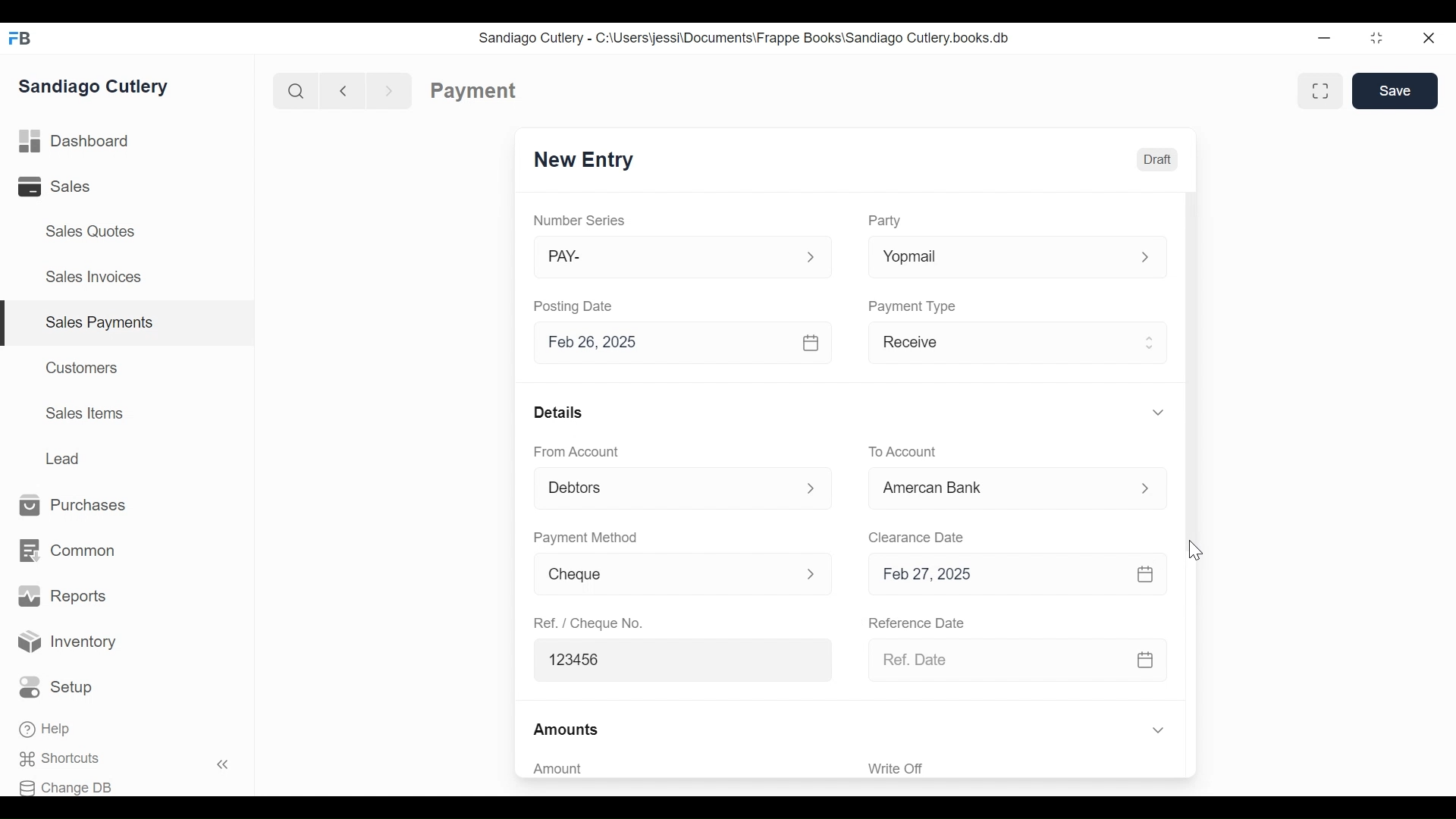 This screenshot has width=1456, height=819. I want to click on Cheque, so click(658, 575).